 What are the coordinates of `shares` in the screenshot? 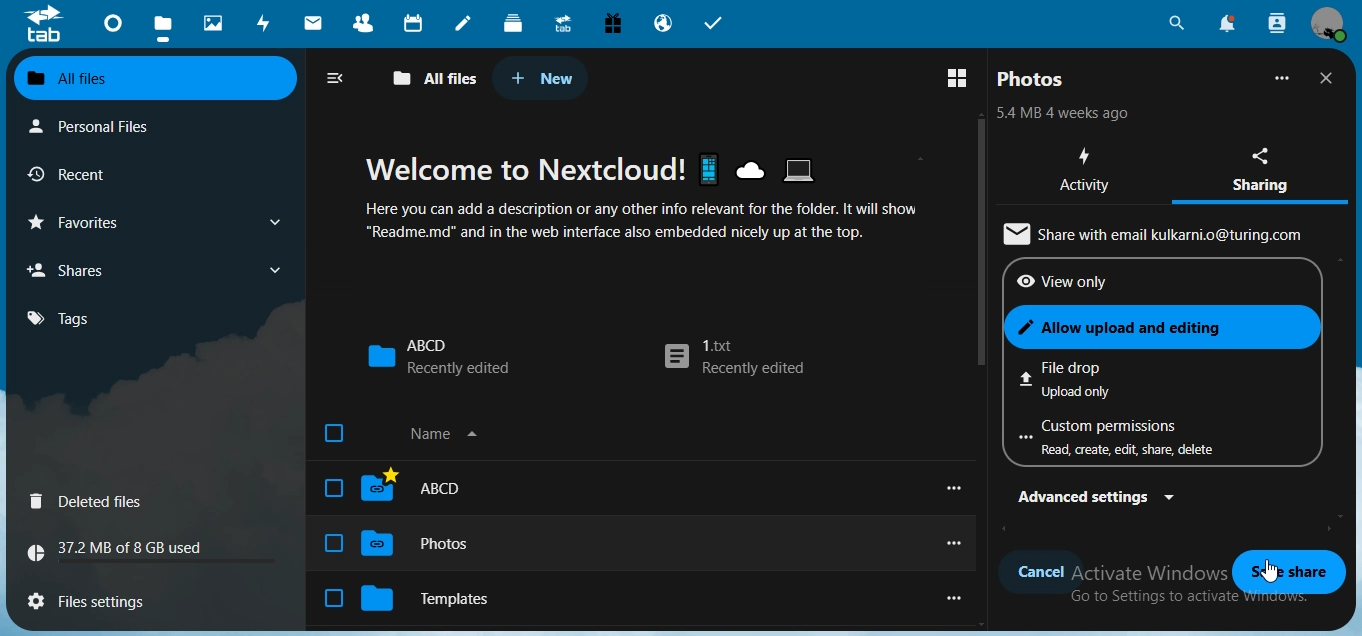 It's located at (94, 269).